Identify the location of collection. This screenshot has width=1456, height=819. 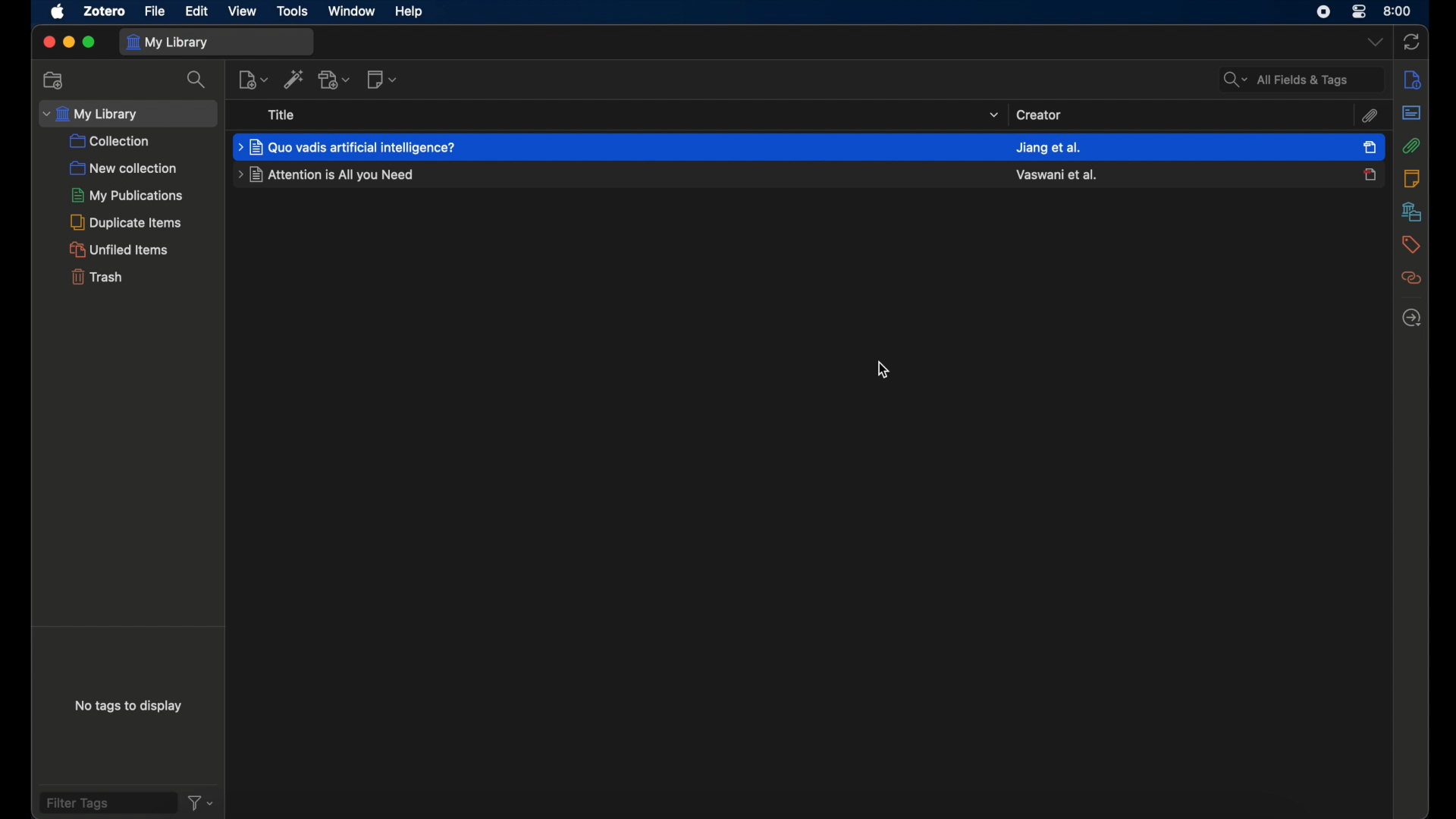
(110, 142).